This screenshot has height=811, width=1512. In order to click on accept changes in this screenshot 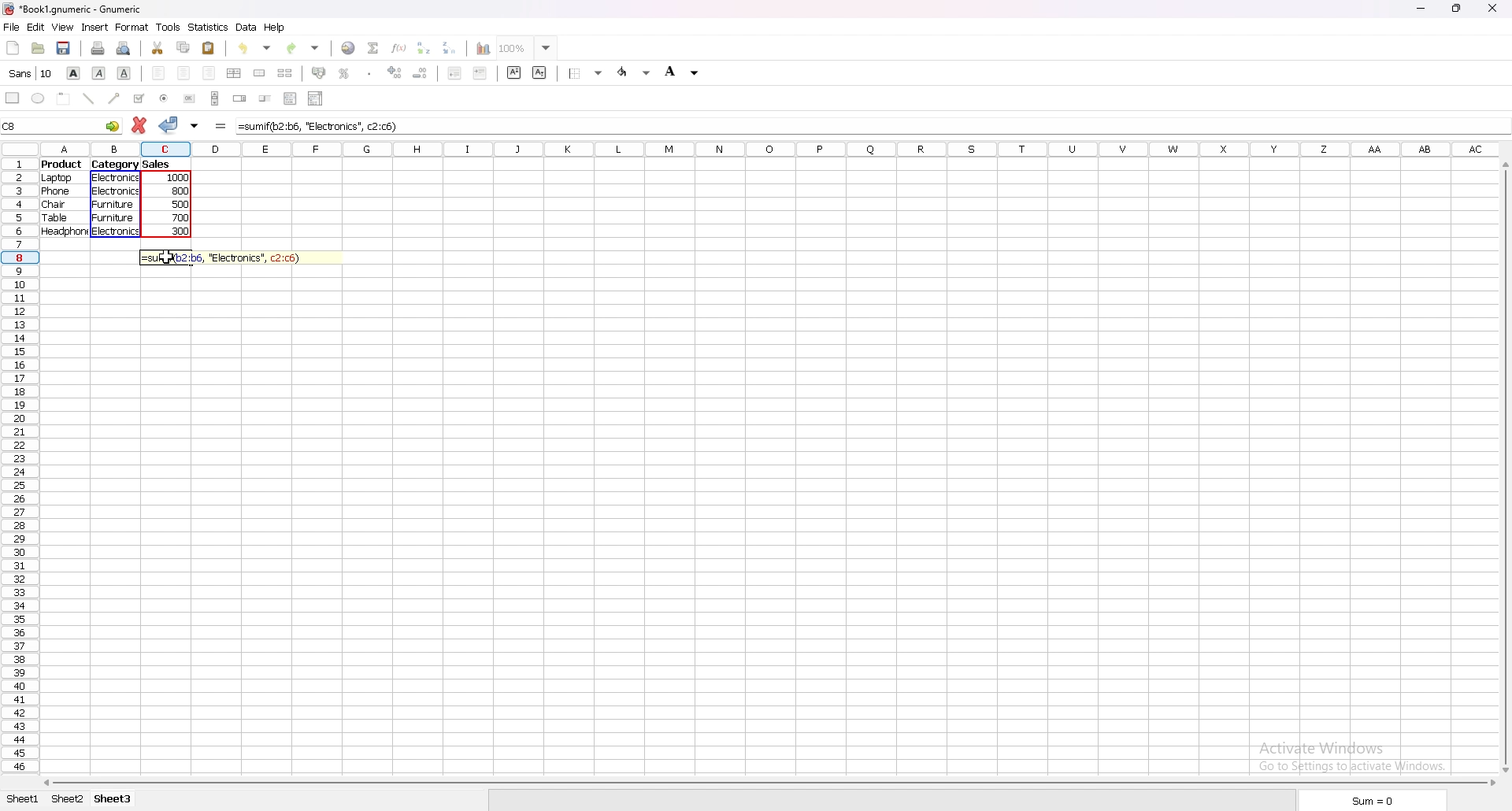, I will do `click(169, 125)`.